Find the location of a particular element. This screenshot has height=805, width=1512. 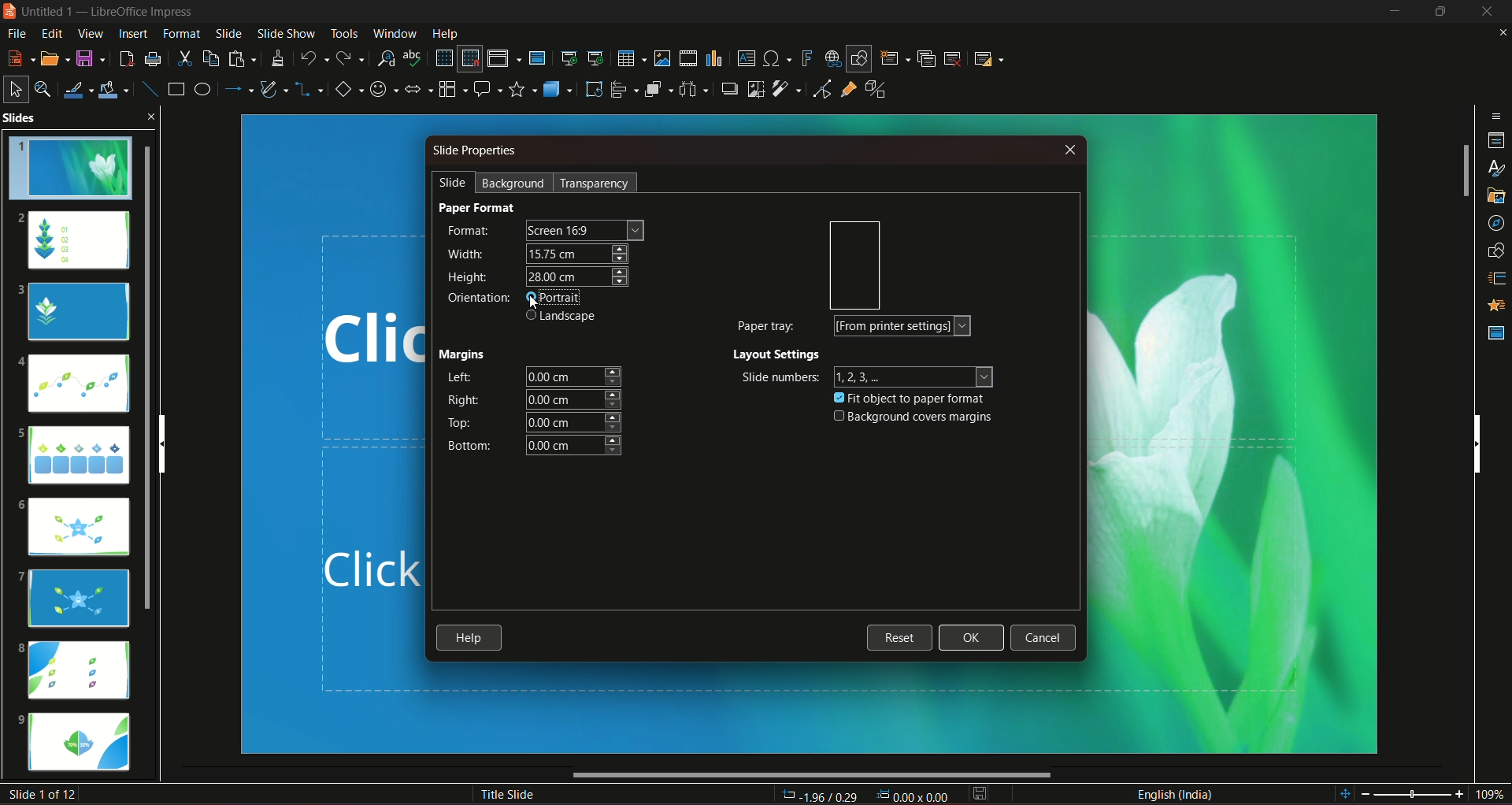

animation is located at coordinates (1492, 306).